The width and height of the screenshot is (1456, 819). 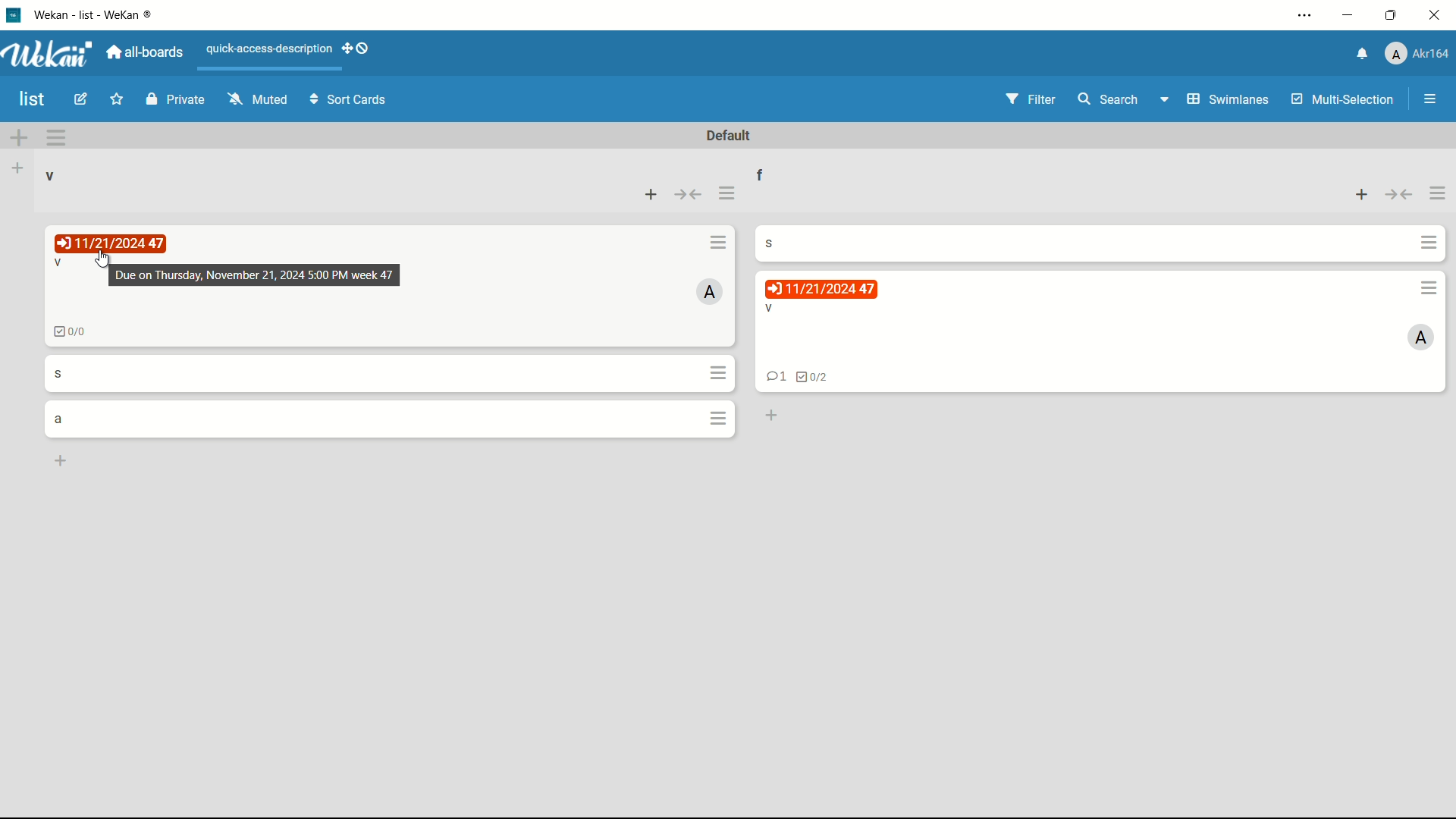 I want to click on settings and more, so click(x=1308, y=15).